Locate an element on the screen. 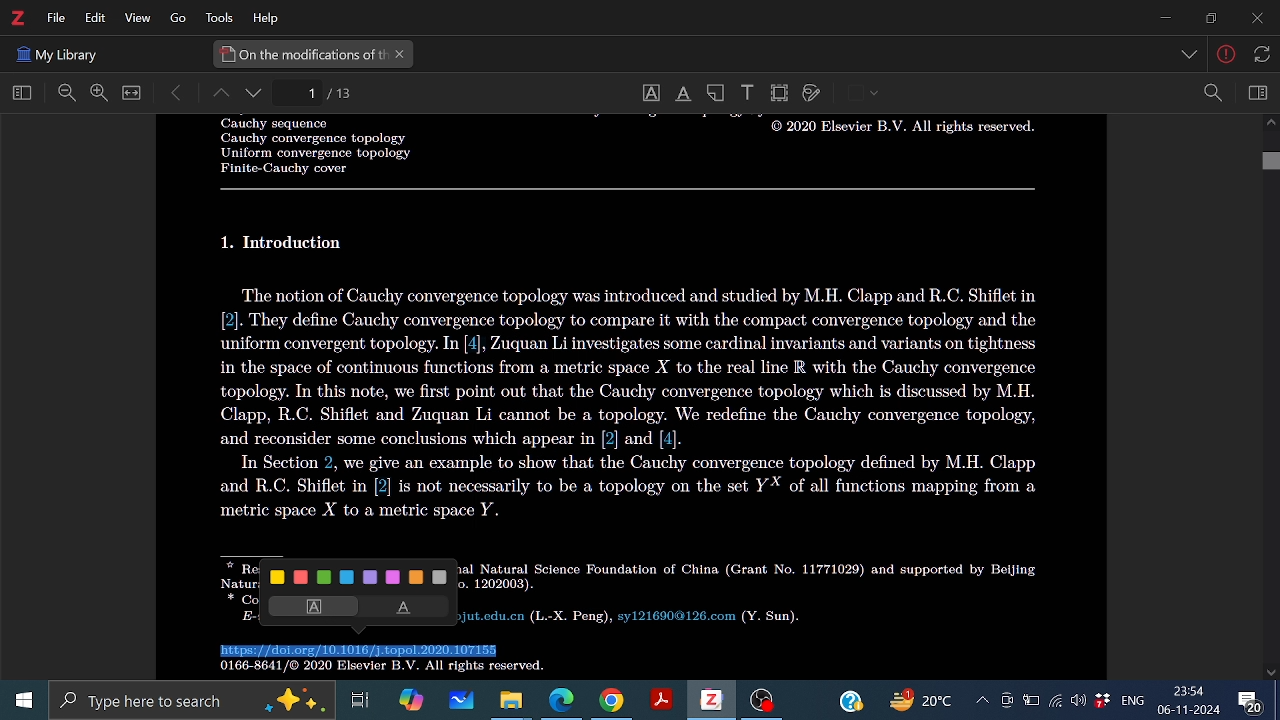  Adobe reader is located at coordinates (660, 701).